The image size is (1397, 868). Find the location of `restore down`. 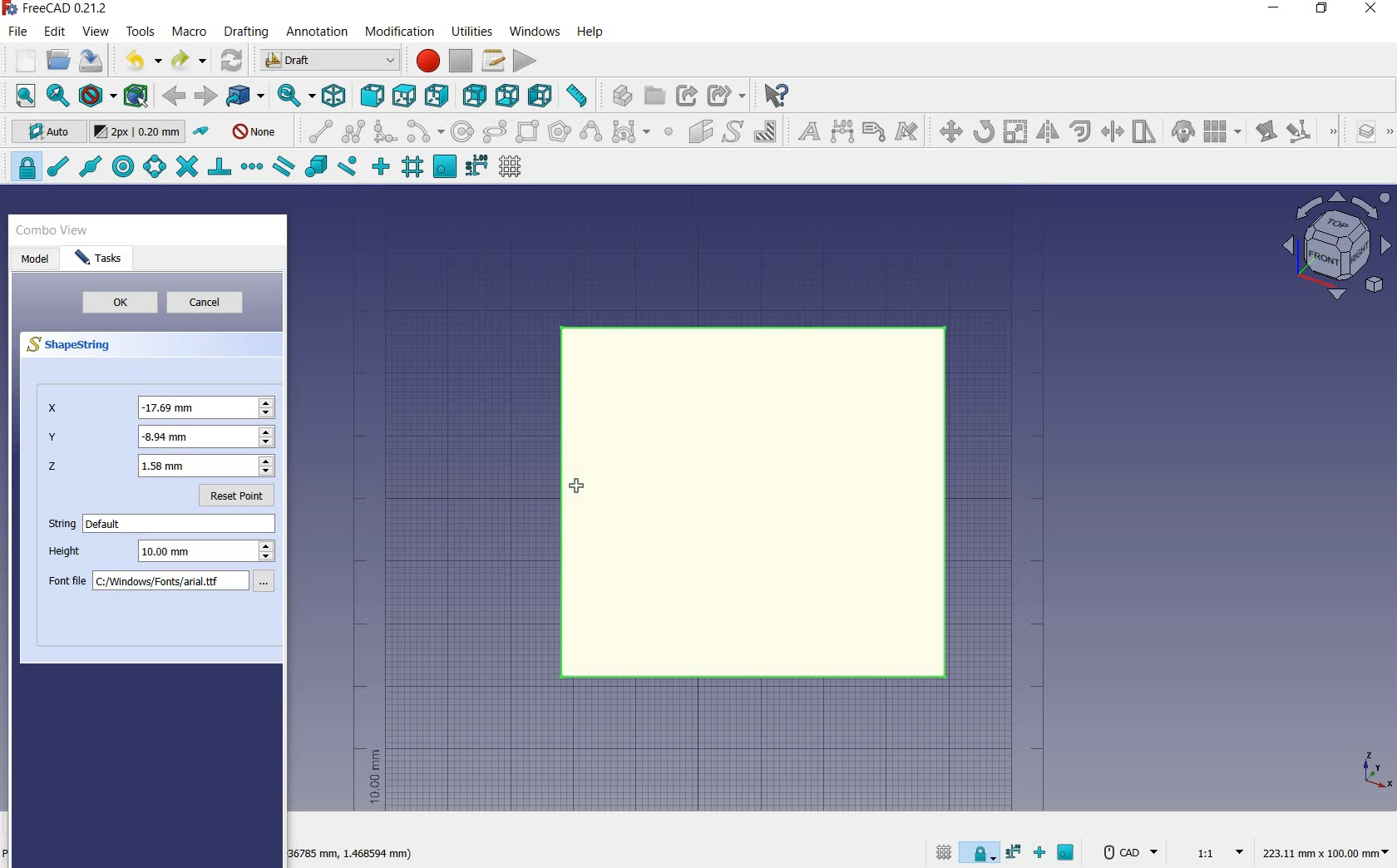

restore down is located at coordinates (1323, 10).